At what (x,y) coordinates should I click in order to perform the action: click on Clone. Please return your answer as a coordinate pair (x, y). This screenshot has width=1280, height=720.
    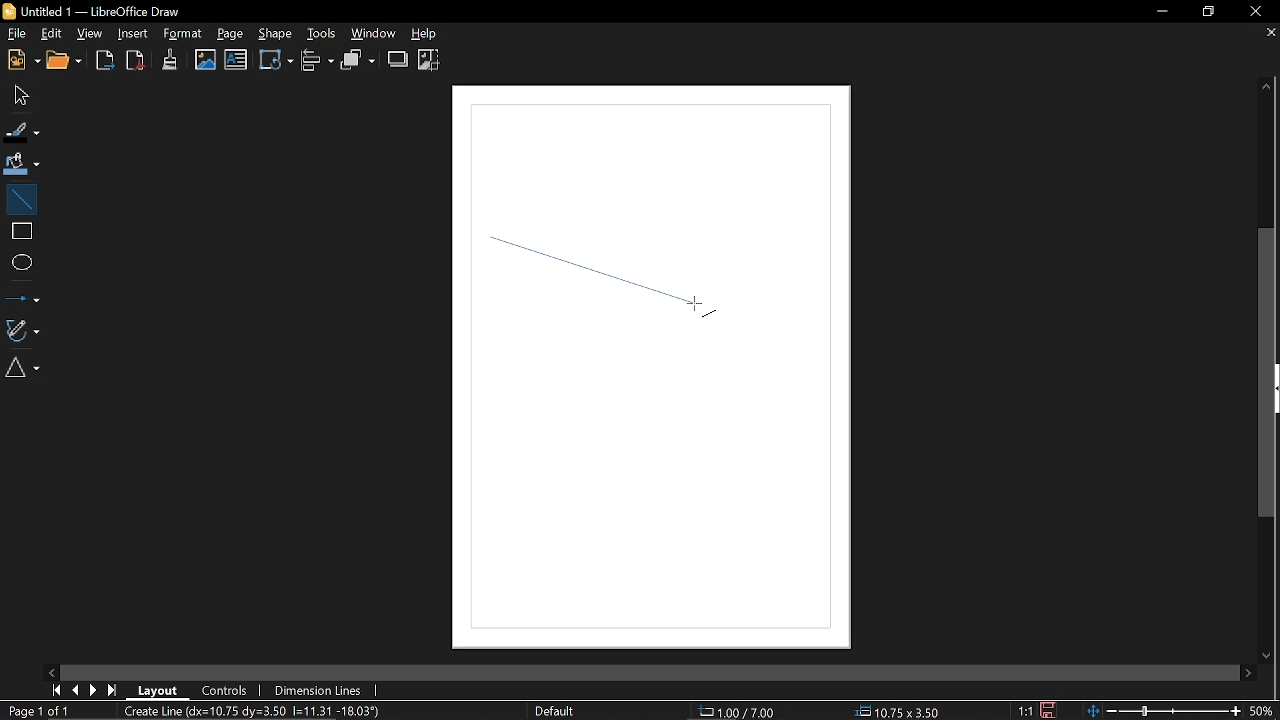
    Looking at the image, I should click on (171, 59).